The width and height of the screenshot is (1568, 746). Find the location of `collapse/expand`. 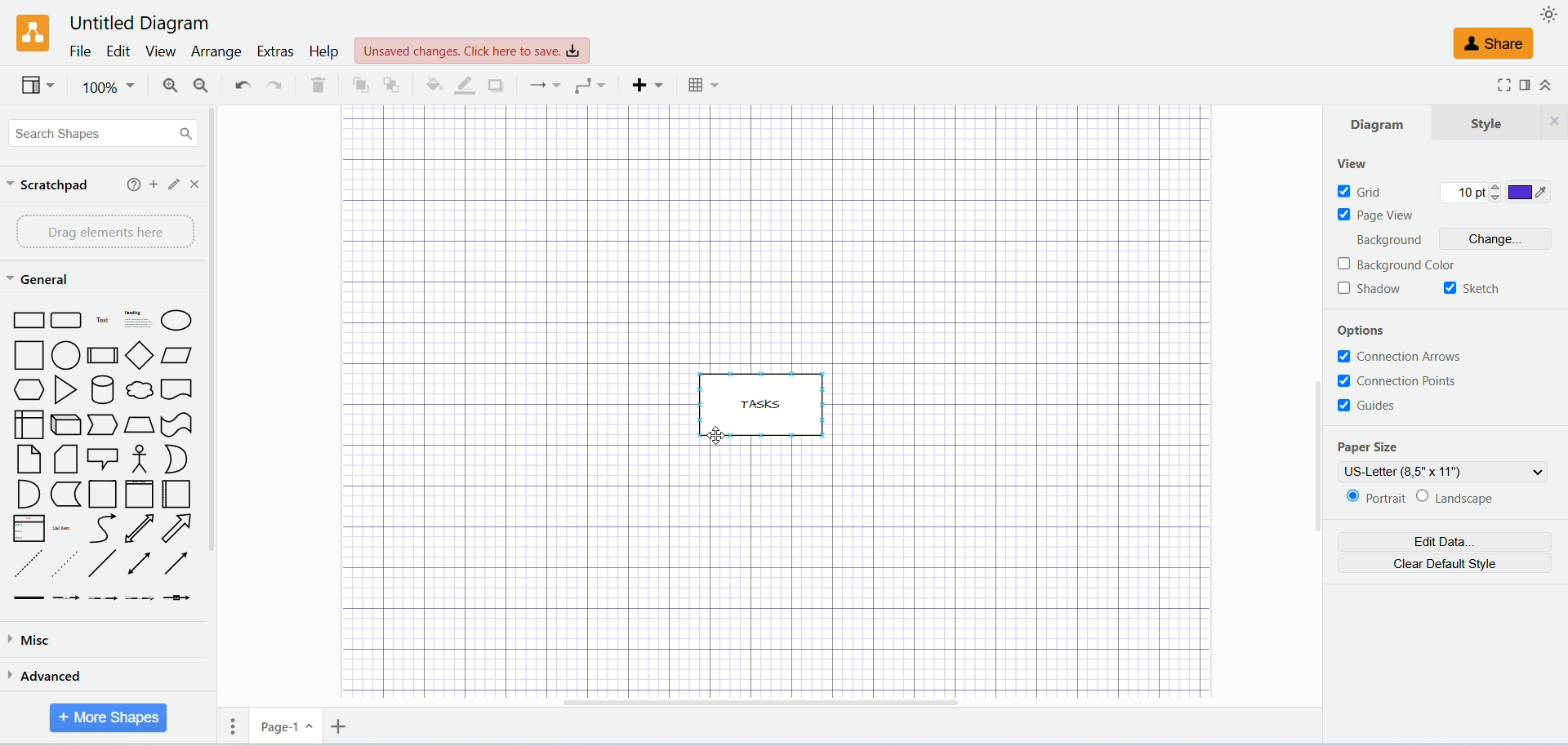

collapse/expand is located at coordinates (1546, 84).